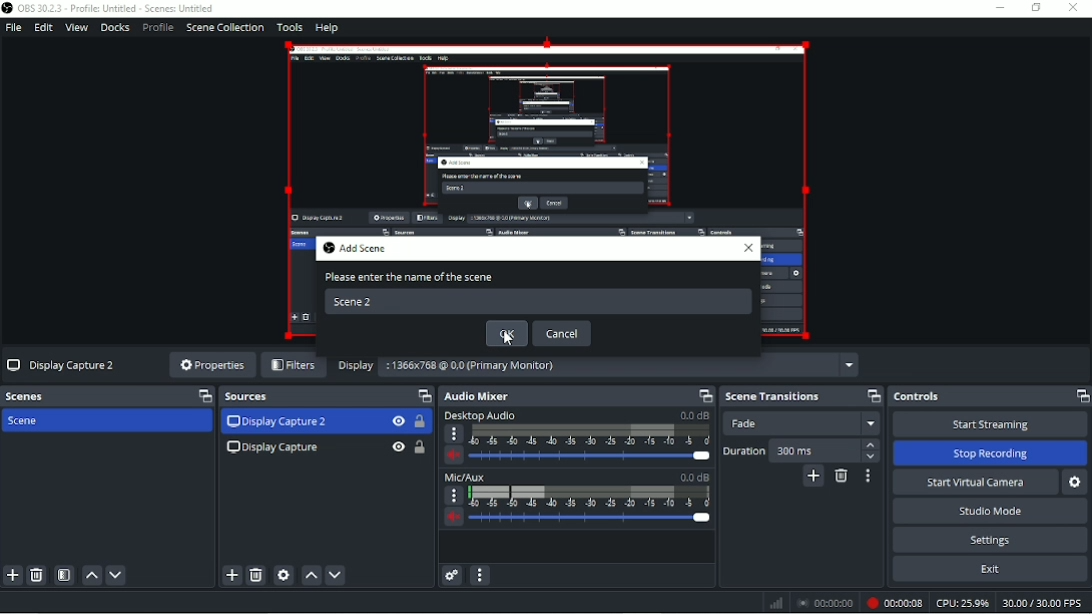 This screenshot has height=614, width=1092. I want to click on Scene transitions, so click(771, 396).